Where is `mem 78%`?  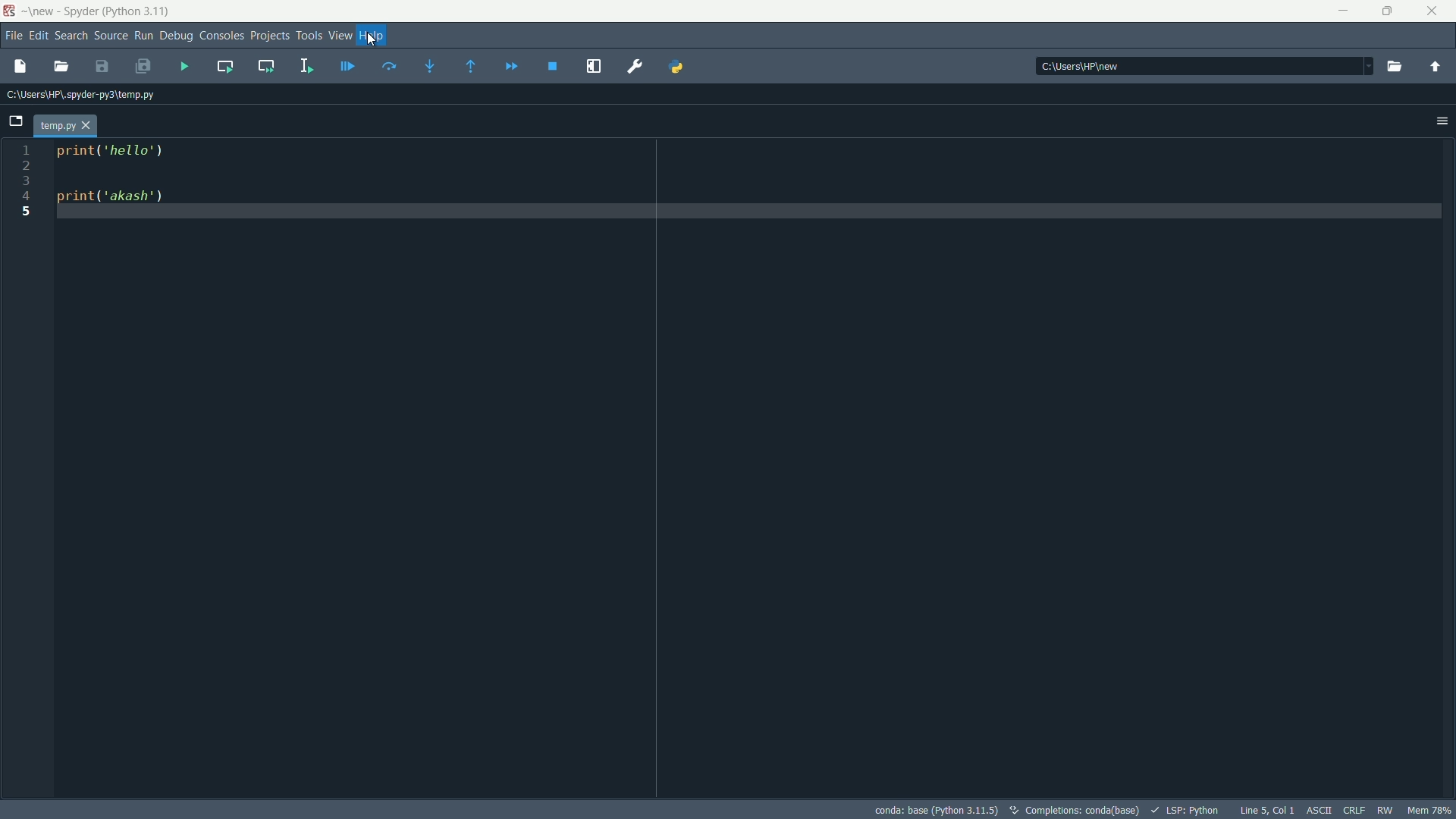 mem 78% is located at coordinates (1429, 808).